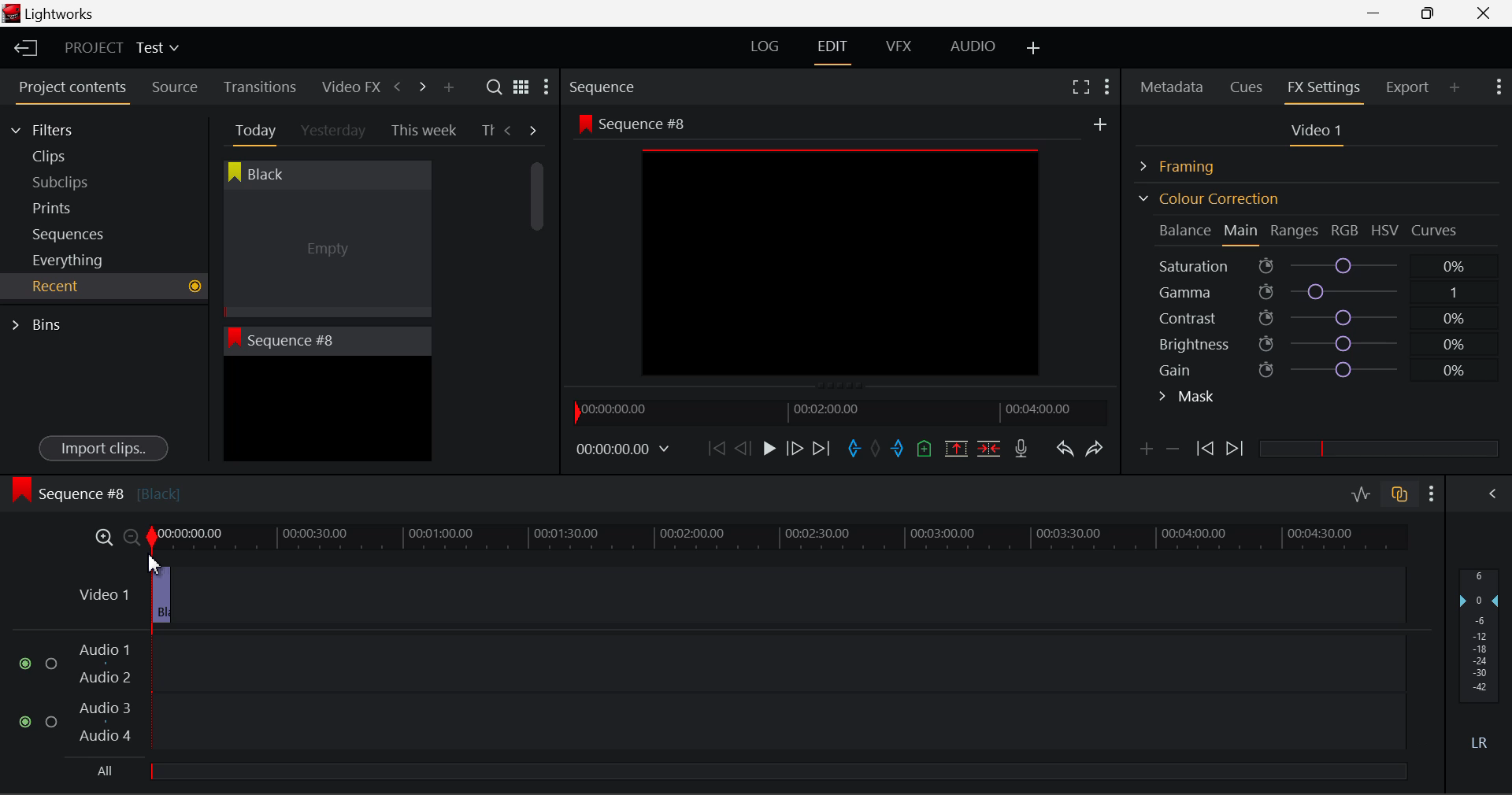 Image resolution: width=1512 pixels, height=795 pixels. I want to click on Toggle audio track sync, so click(1400, 493).